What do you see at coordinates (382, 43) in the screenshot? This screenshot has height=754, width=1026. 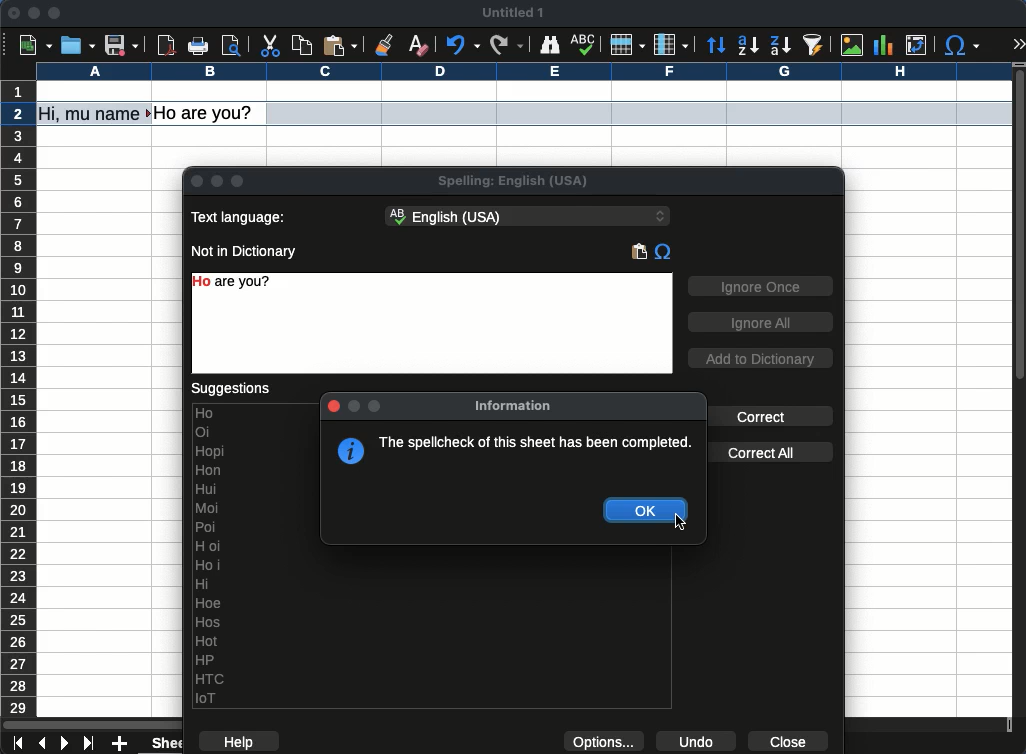 I see `clone formatting` at bounding box center [382, 43].